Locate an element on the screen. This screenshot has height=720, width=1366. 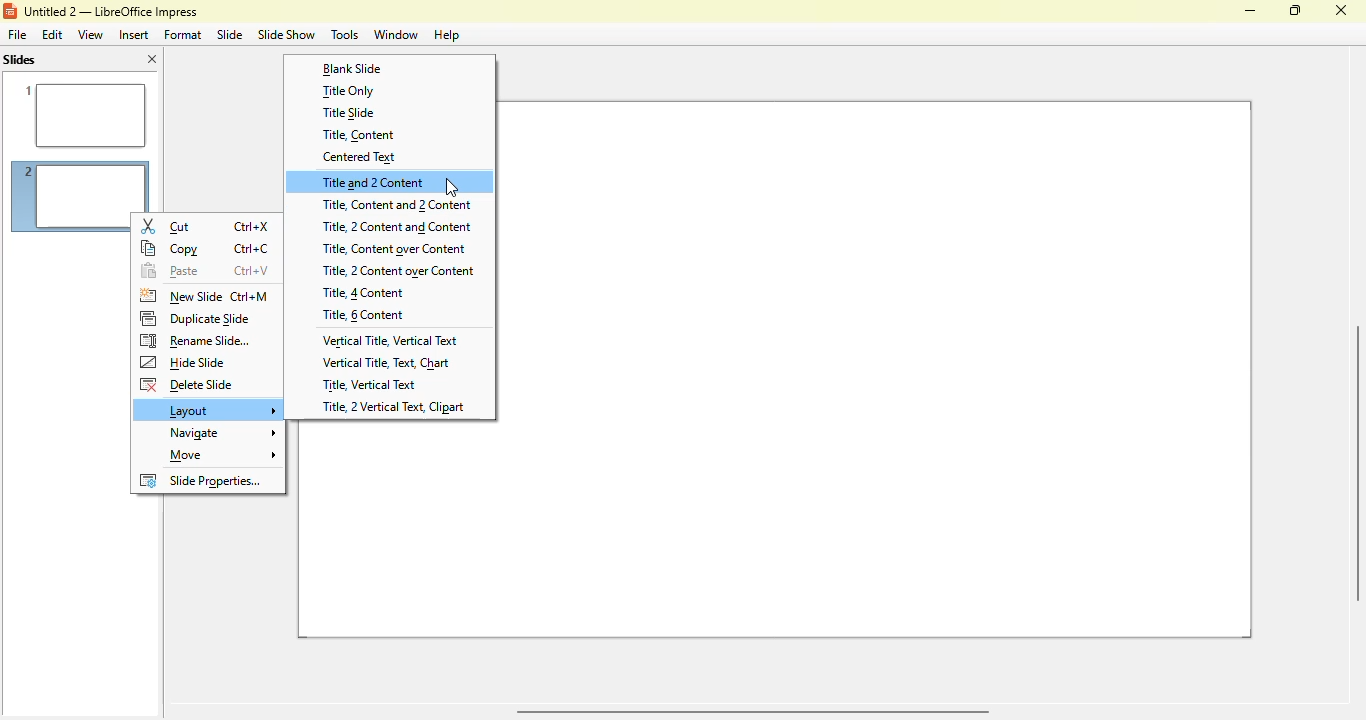
logo is located at coordinates (10, 11).